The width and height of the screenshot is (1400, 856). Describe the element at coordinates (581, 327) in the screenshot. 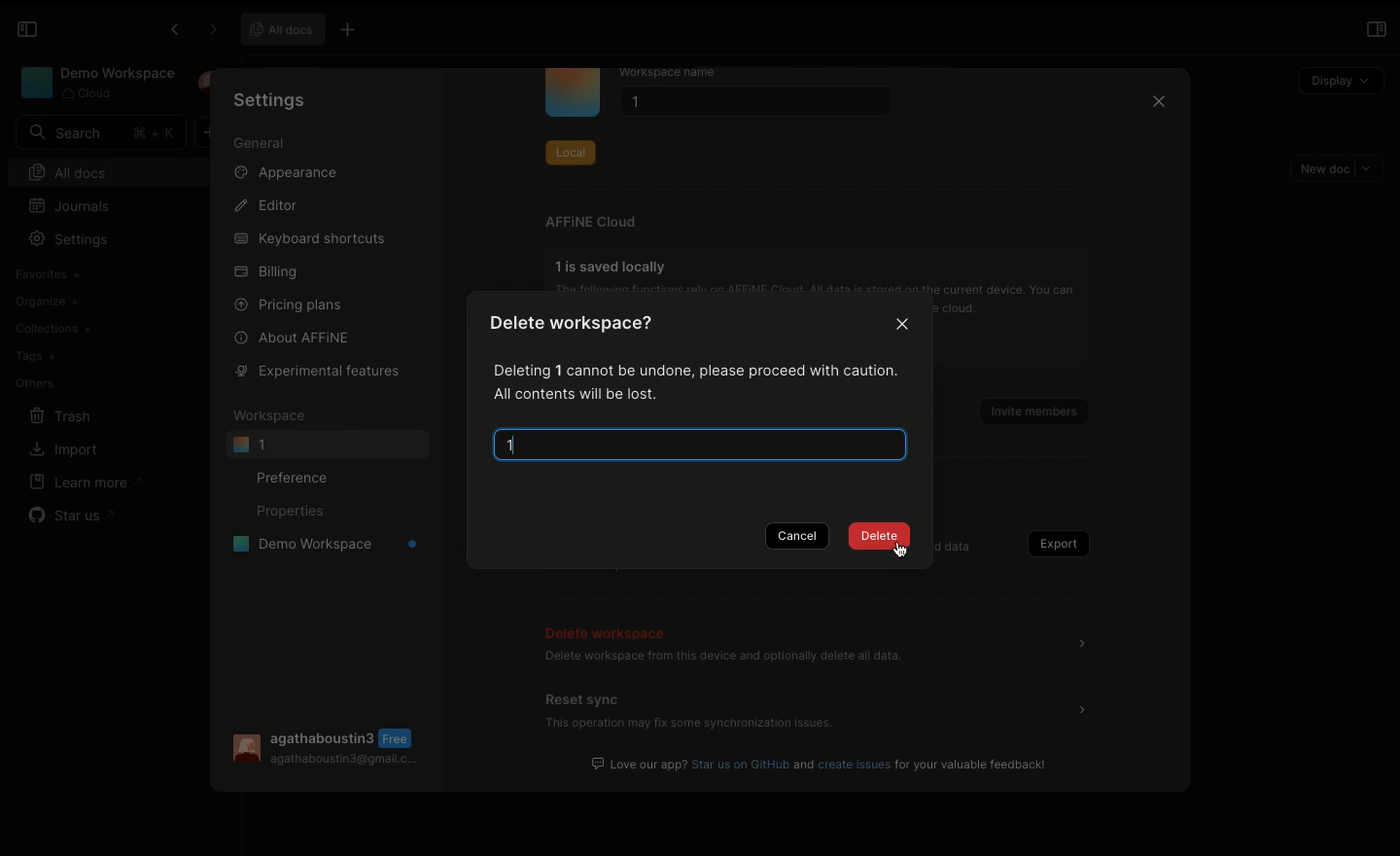

I see `Delete workspace?` at that location.